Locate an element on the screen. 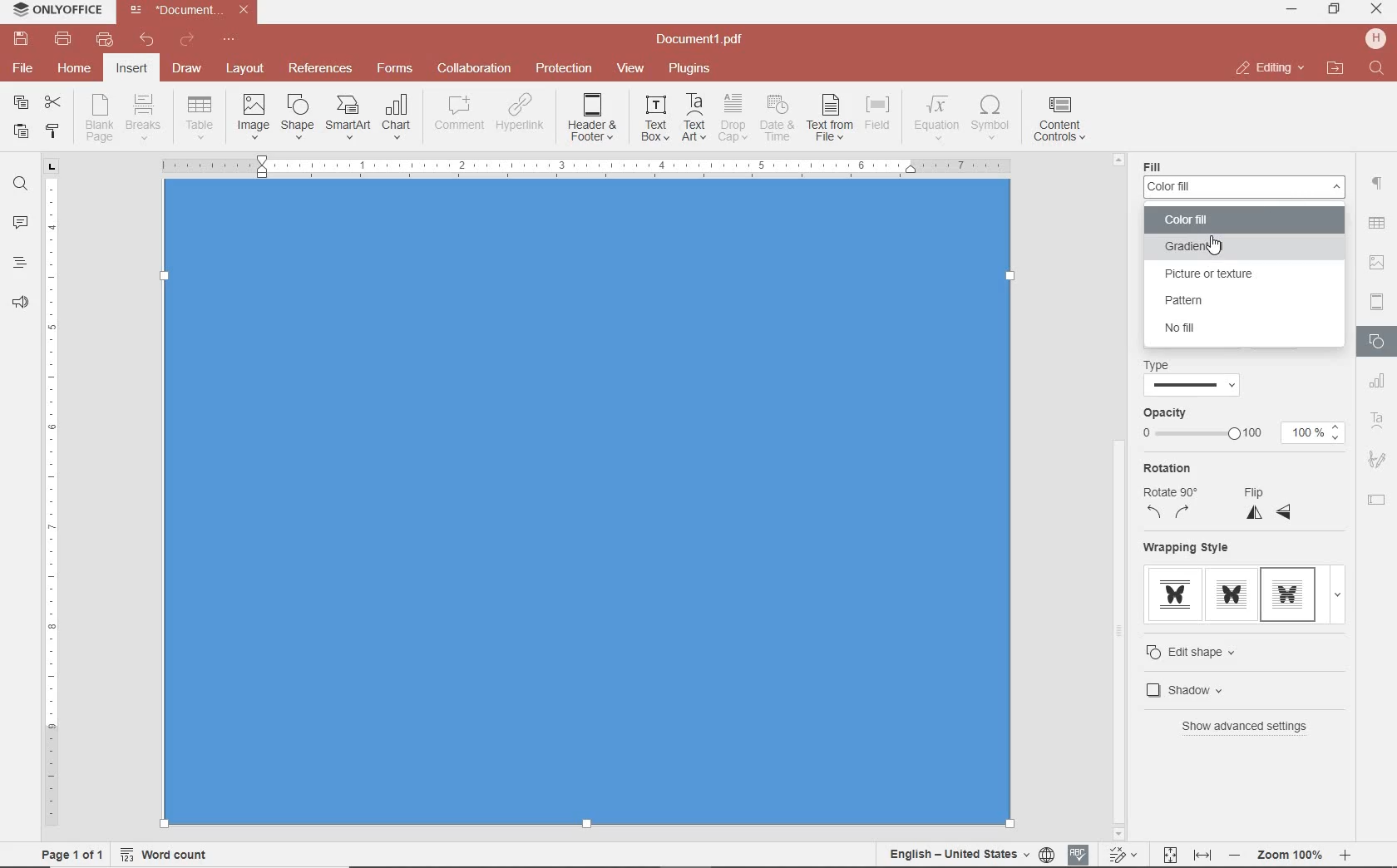 This screenshot has width=1397, height=868. system name is located at coordinates (53, 11).